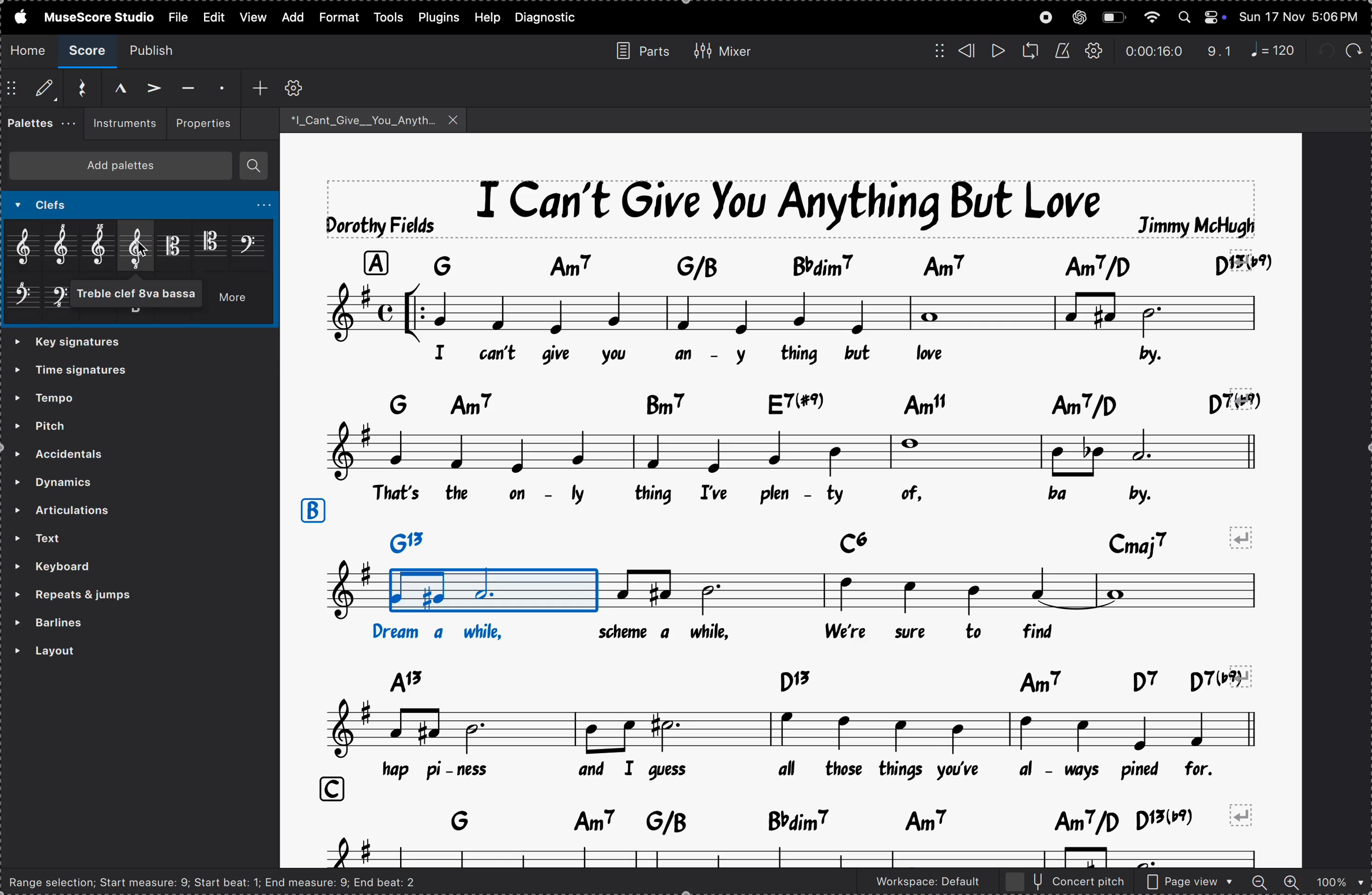  What do you see at coordinates (110, 87) in the screenshot?
I see `Marcato` at bounding box center [110, 87].